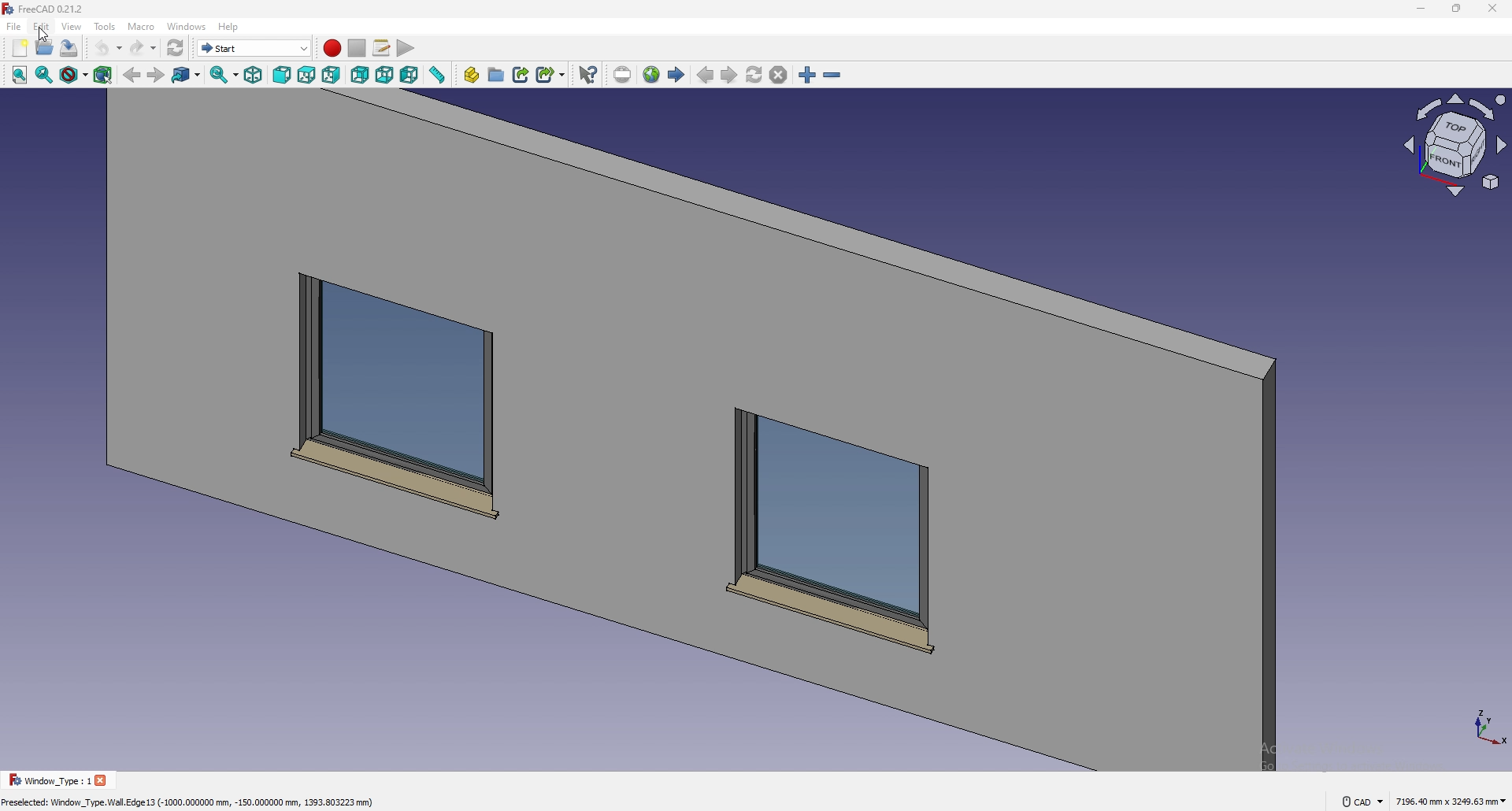 The height and width of the screenshot is (811, 1512). Describe the element at coordinates (74, 76) in the screenshot. I see `draw style` at that location.